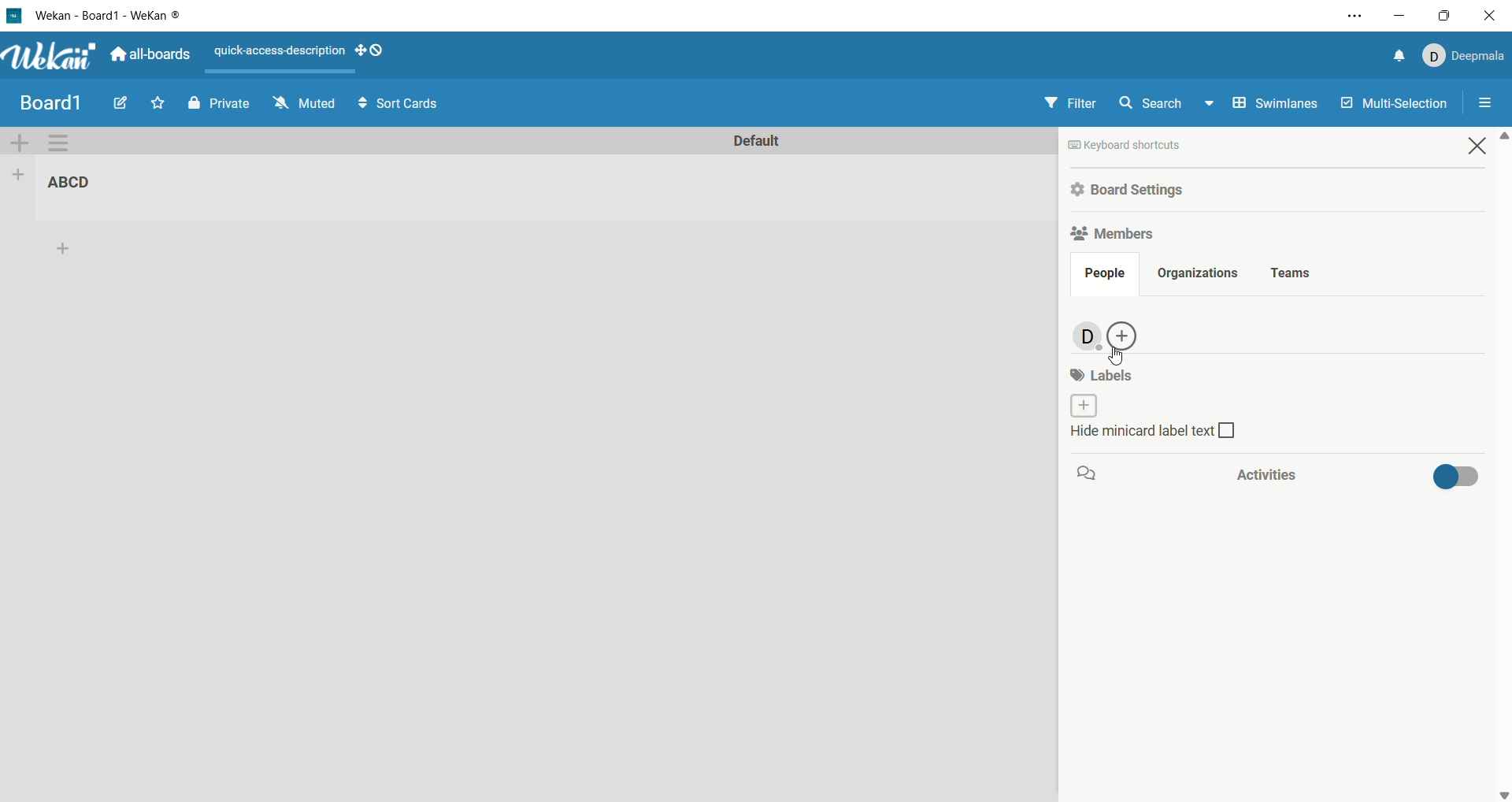 This screenshot has height=802, width=1512. I want to click on vertical scroll bar, so click(1503, 465).